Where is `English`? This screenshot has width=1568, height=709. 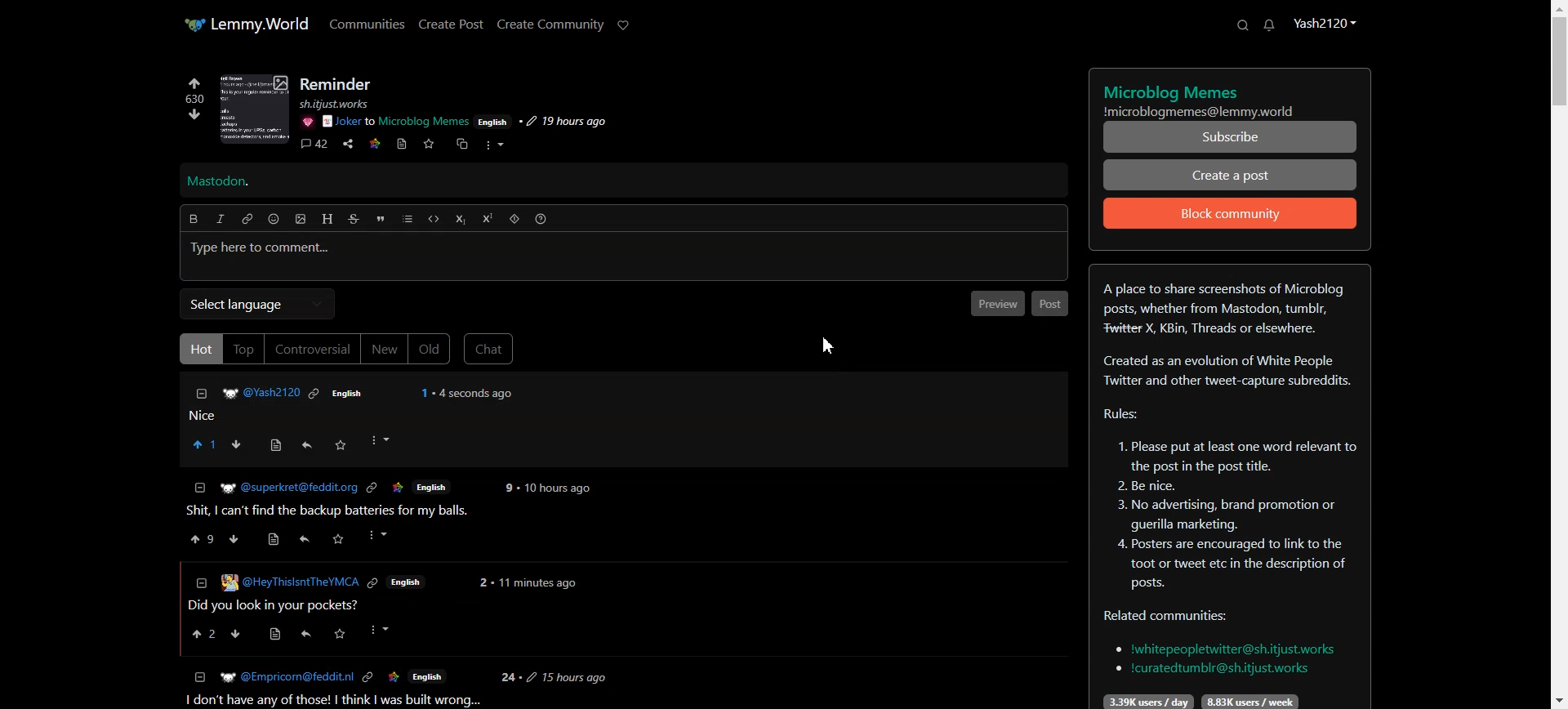 English is located at coordinates (344, 393).